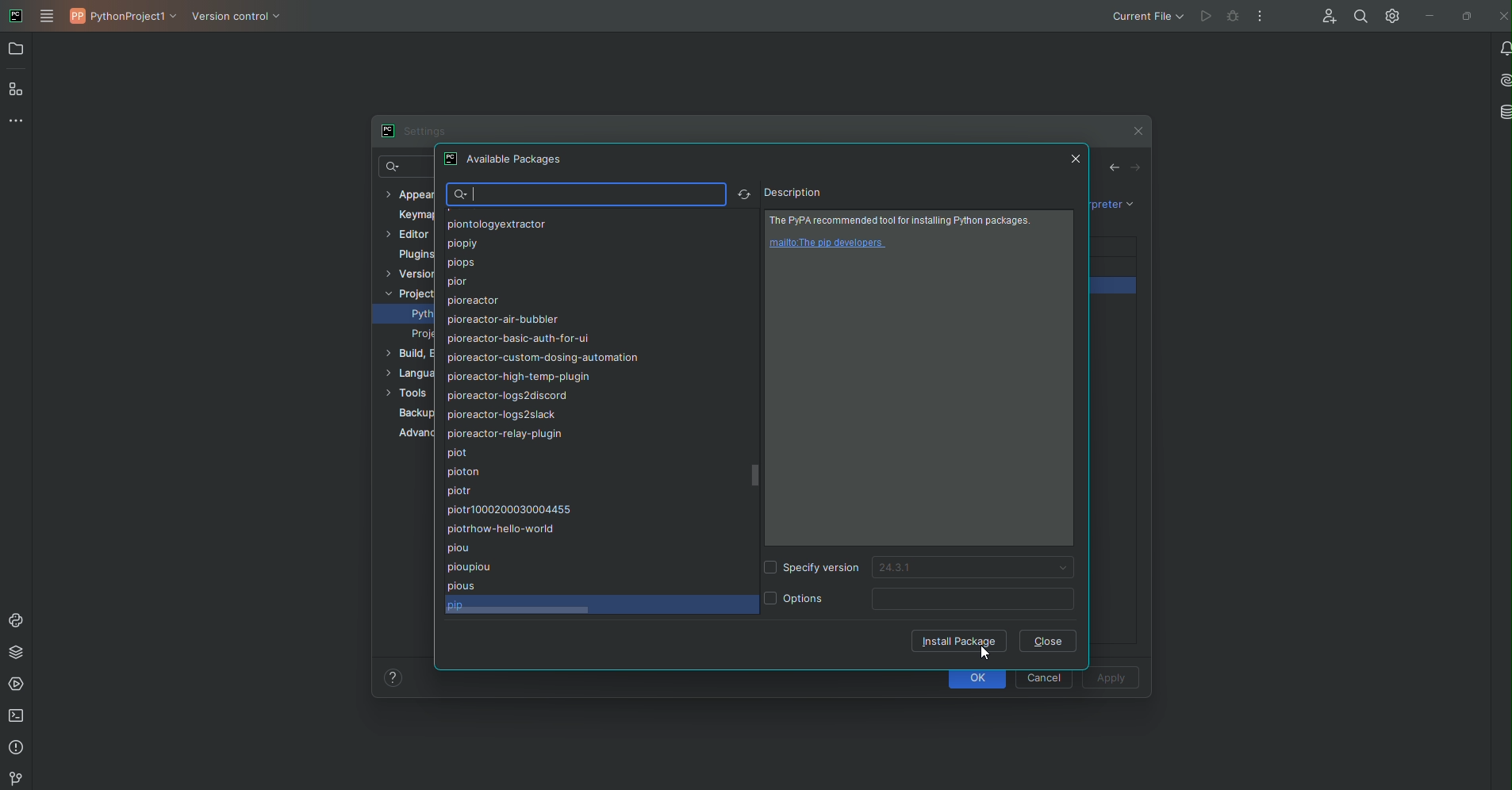 This screenshot has width=1512, height=790. Describe the element at coordinates (466, 473) in the screenshot. I see `ploton` at that location.